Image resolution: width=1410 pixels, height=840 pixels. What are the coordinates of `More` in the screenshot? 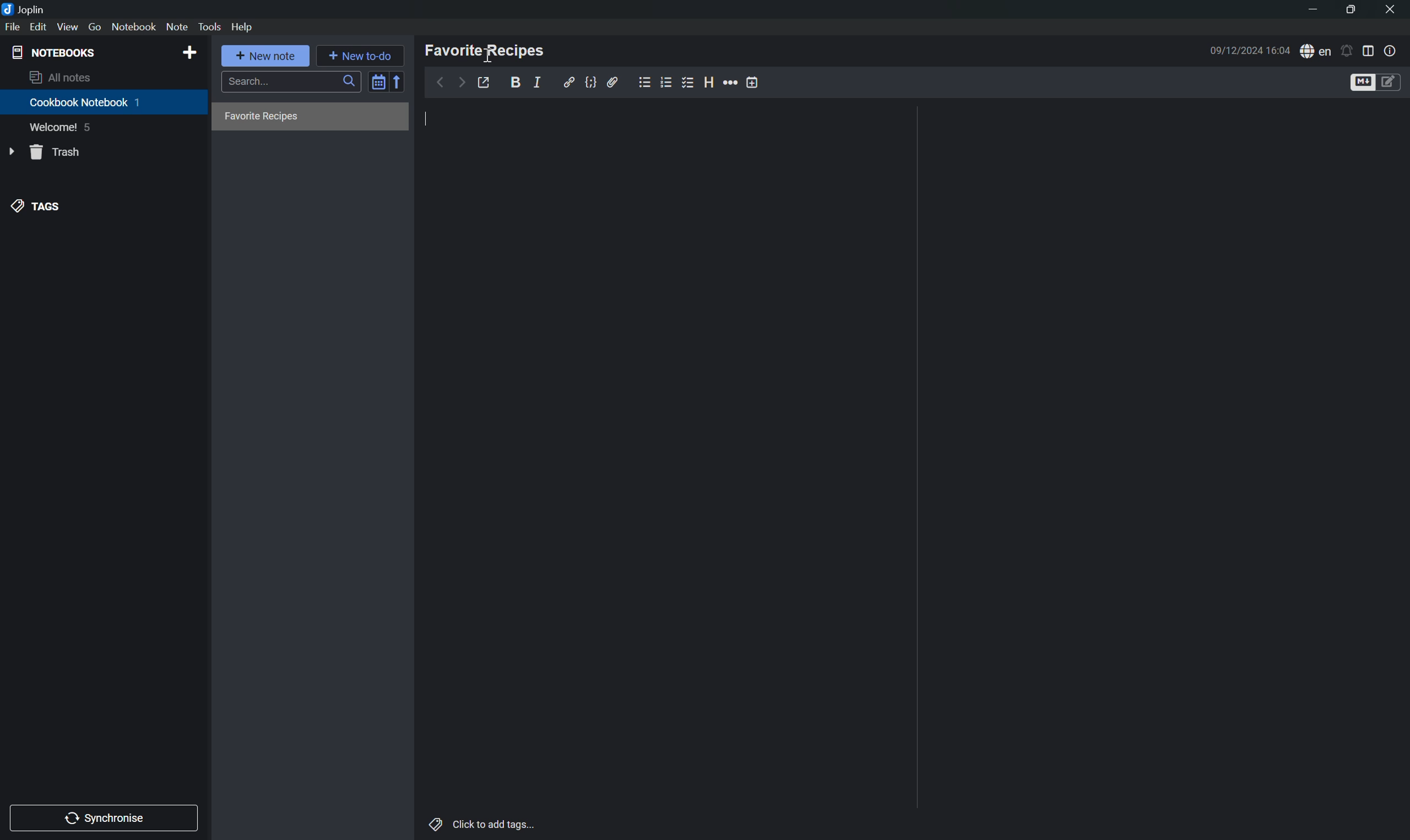 It's located at (730, 81).